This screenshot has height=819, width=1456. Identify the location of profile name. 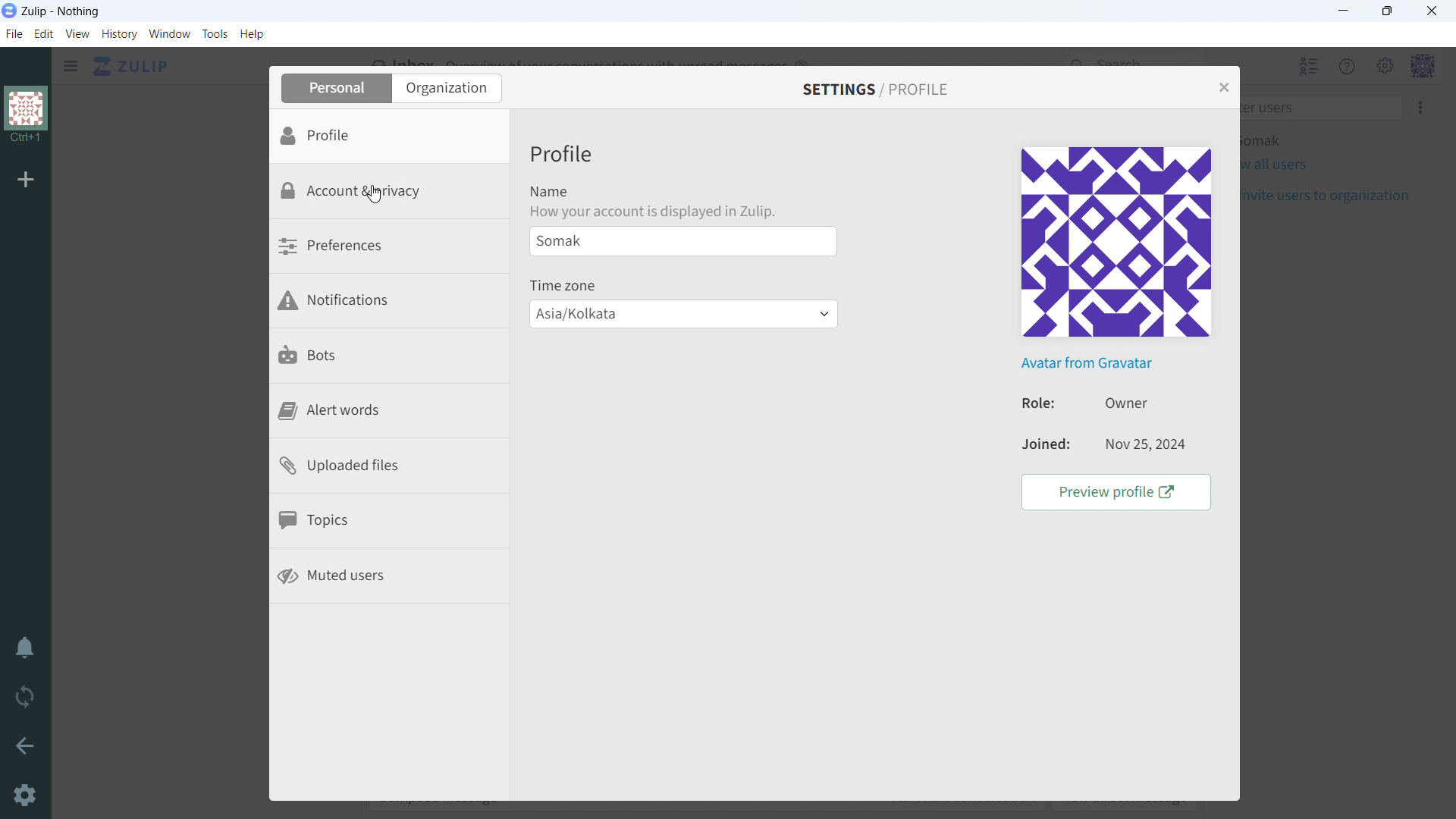
(682, 241).